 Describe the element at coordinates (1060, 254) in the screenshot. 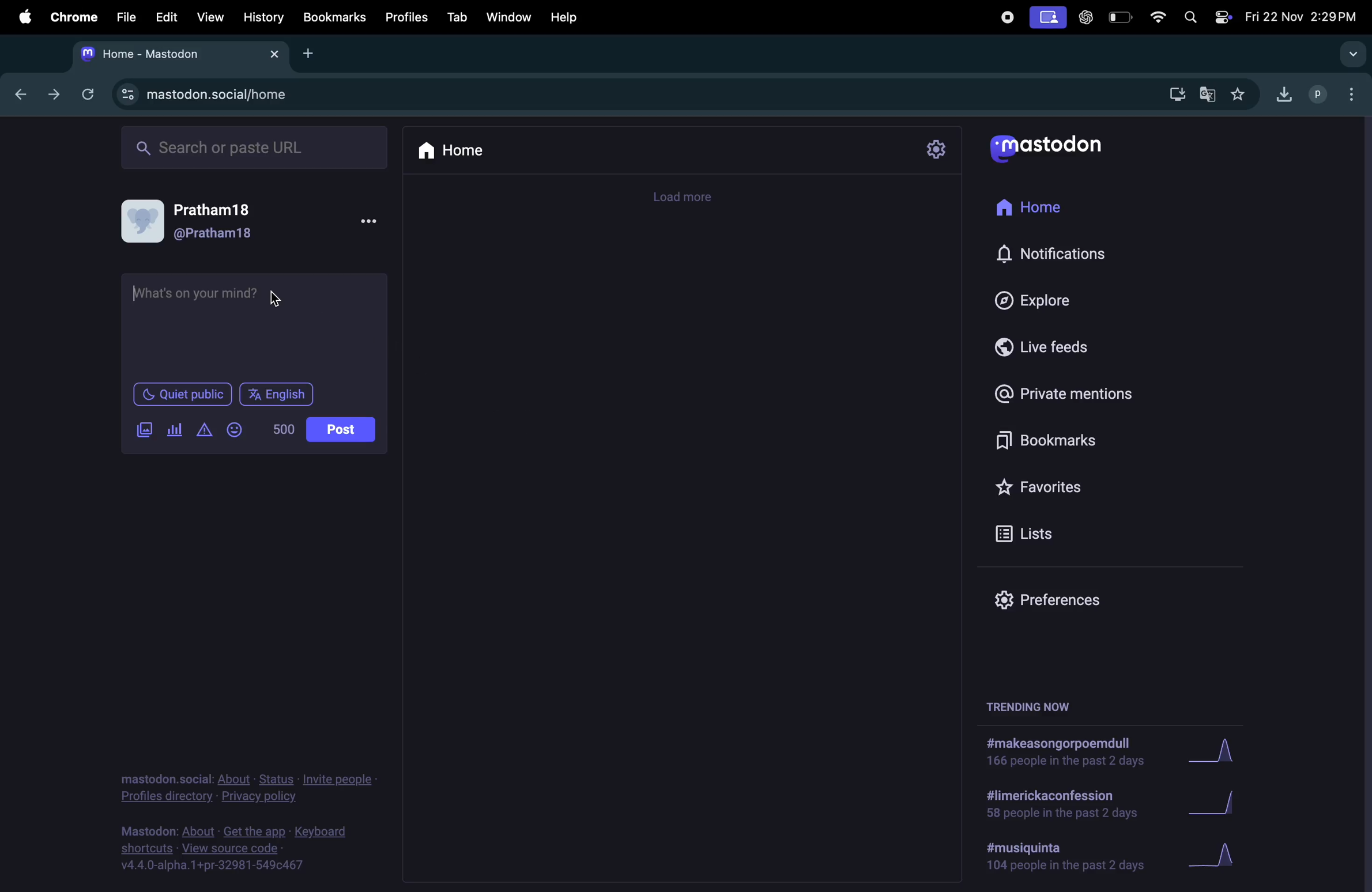

I see `notifications` at that location.